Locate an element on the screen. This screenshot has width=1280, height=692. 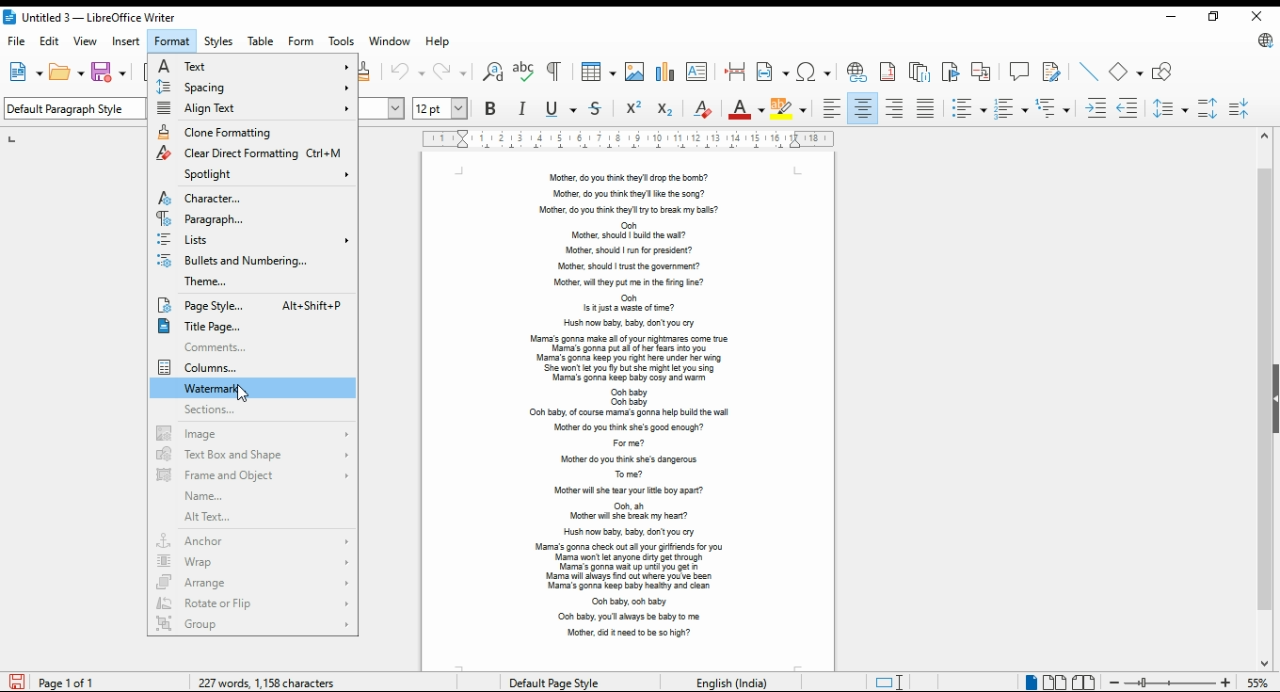
restore is located at coordinates (1211, 17).